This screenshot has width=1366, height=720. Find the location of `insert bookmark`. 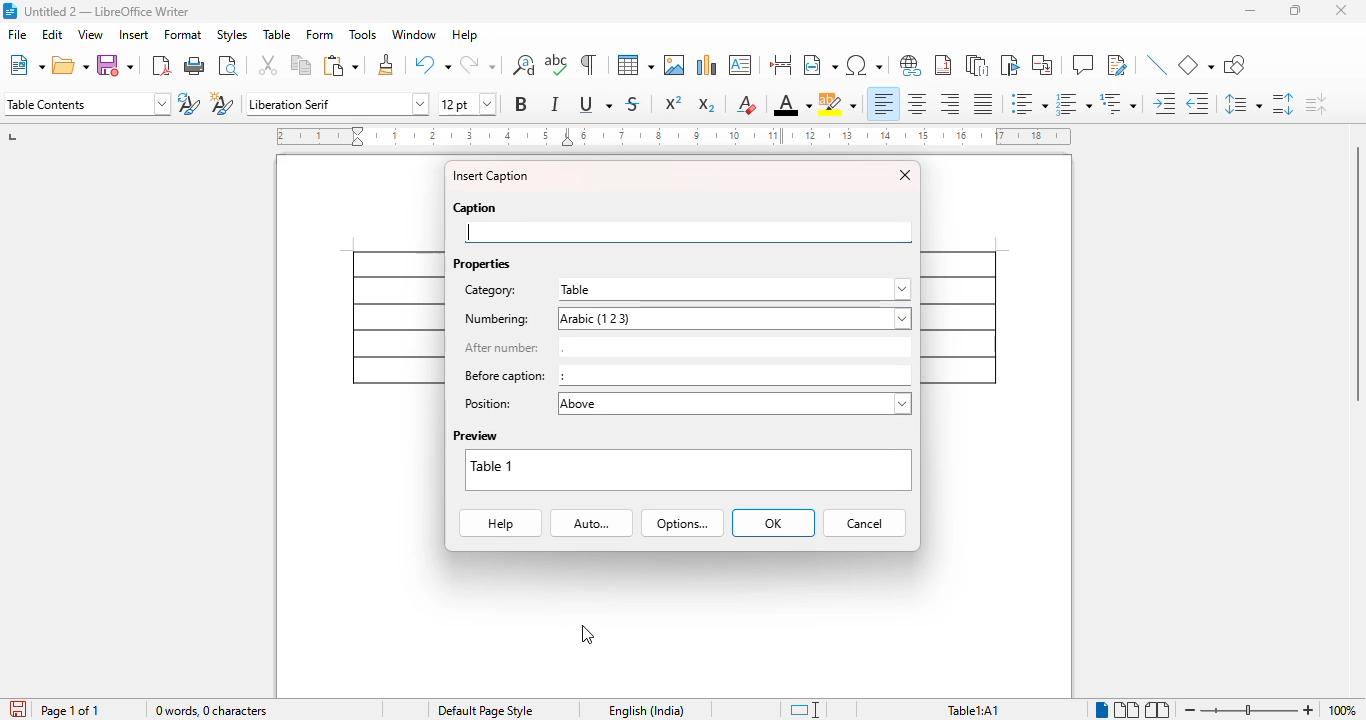

insert bookmark is located at coordinates (1011, 65).